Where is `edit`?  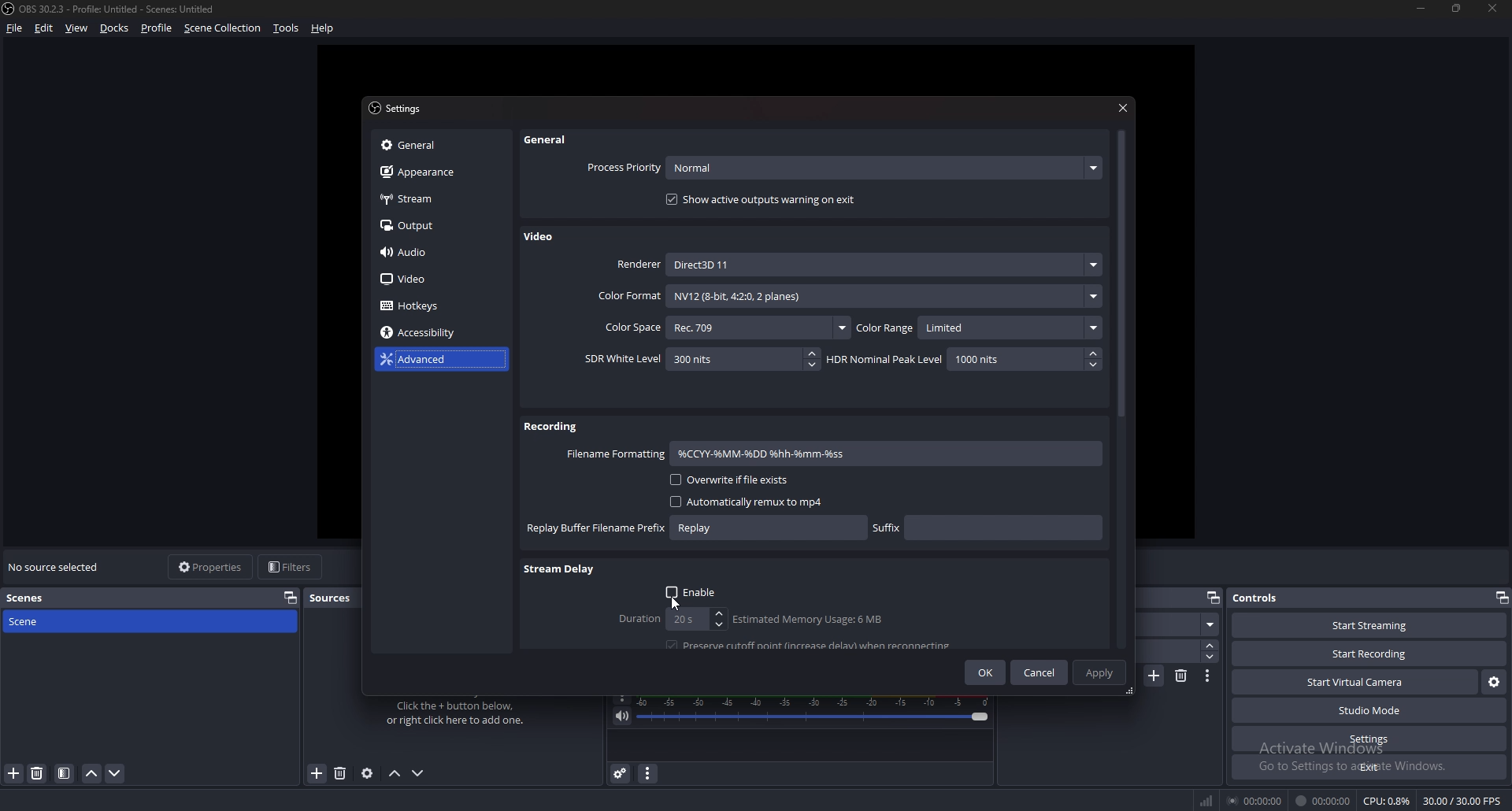 edit is located at coordinates (43, 28).